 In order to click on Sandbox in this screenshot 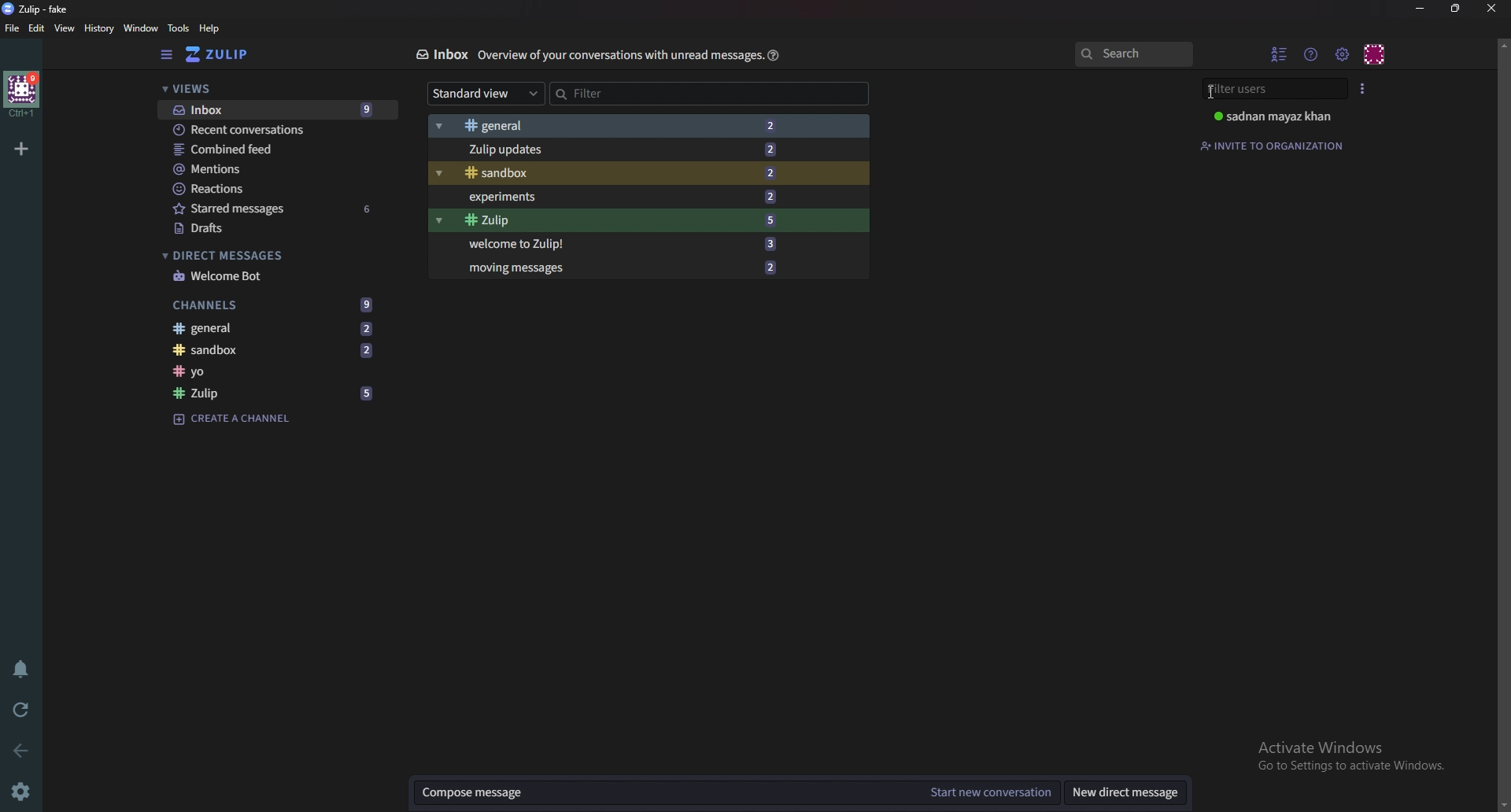, I will do `click(279, 352)`.